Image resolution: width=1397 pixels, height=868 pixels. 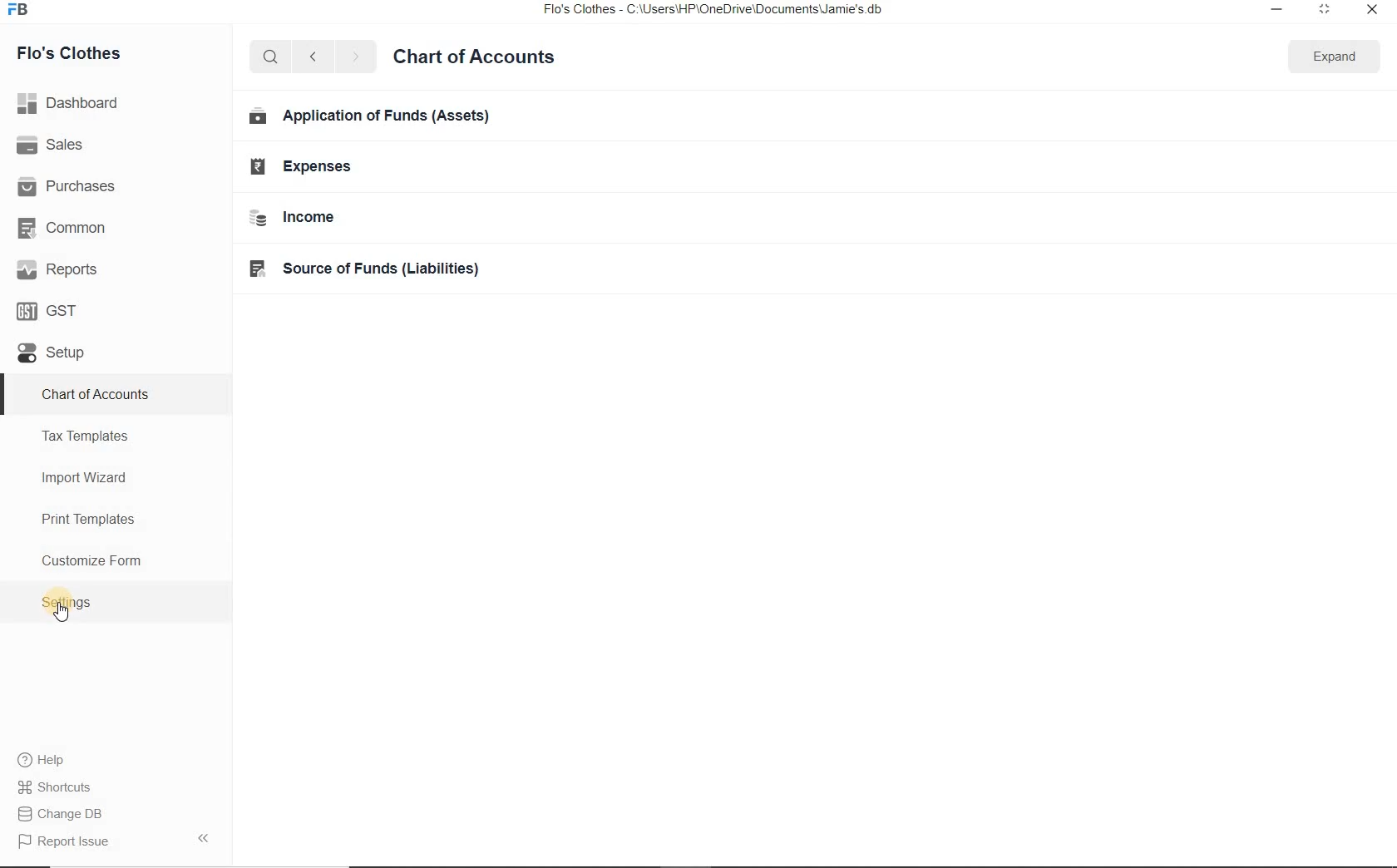 I want to click on Common, so click(x=66, y=229).